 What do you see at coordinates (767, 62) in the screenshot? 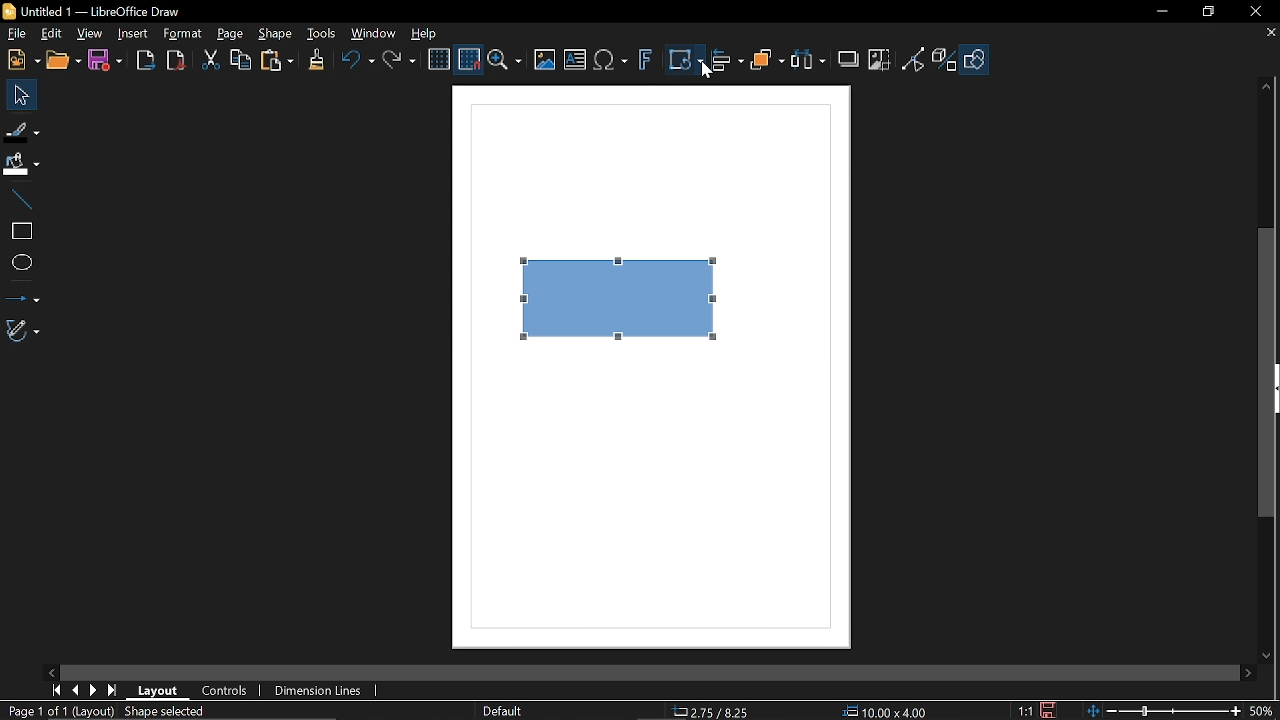
I see `Arrange` at bounding box center [767, 62].